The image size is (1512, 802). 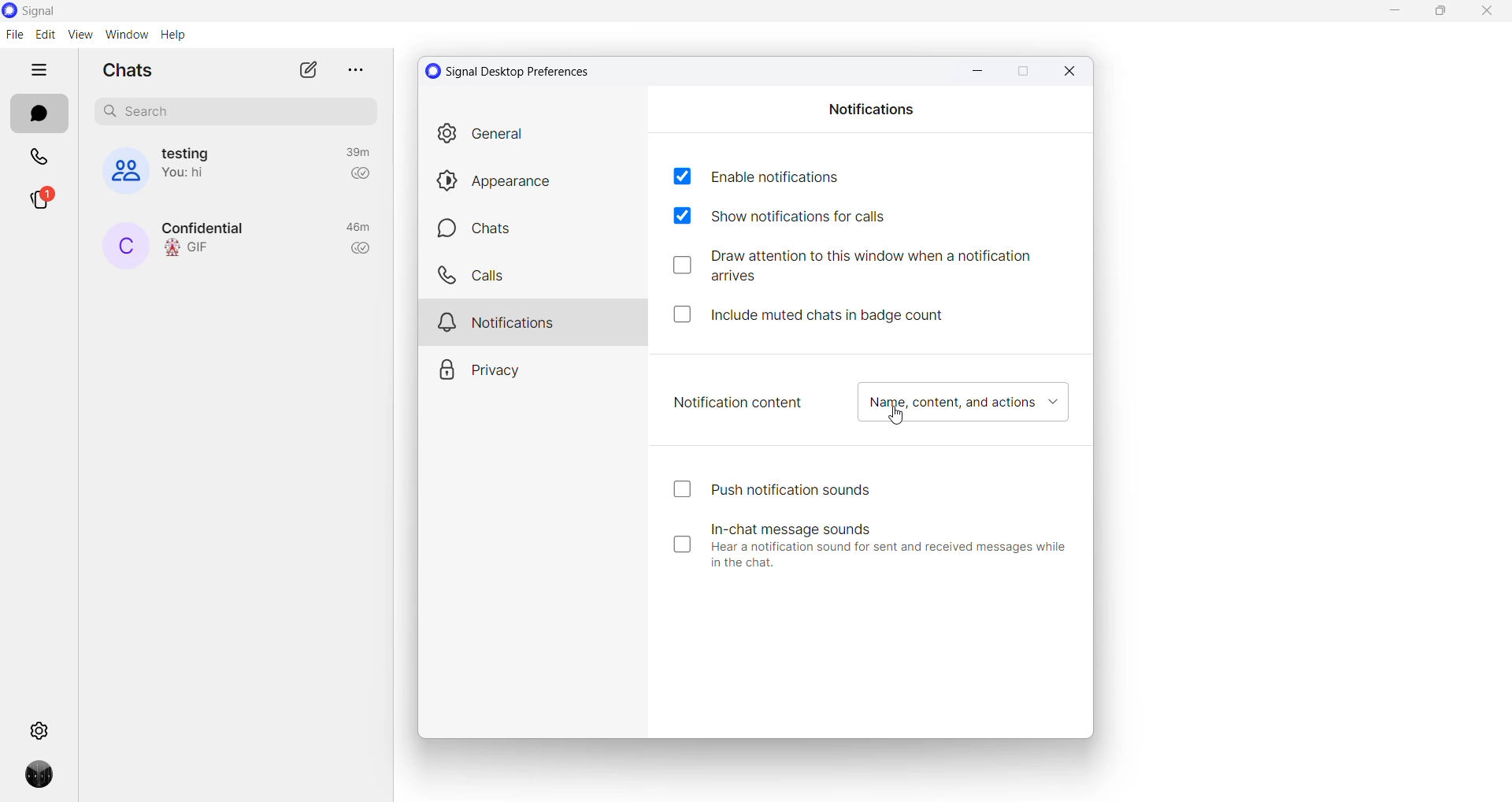 What do you see at coordinates (1022, 72) in the screenshot?
I see `Maximize` at bounding box center [1022, 72].